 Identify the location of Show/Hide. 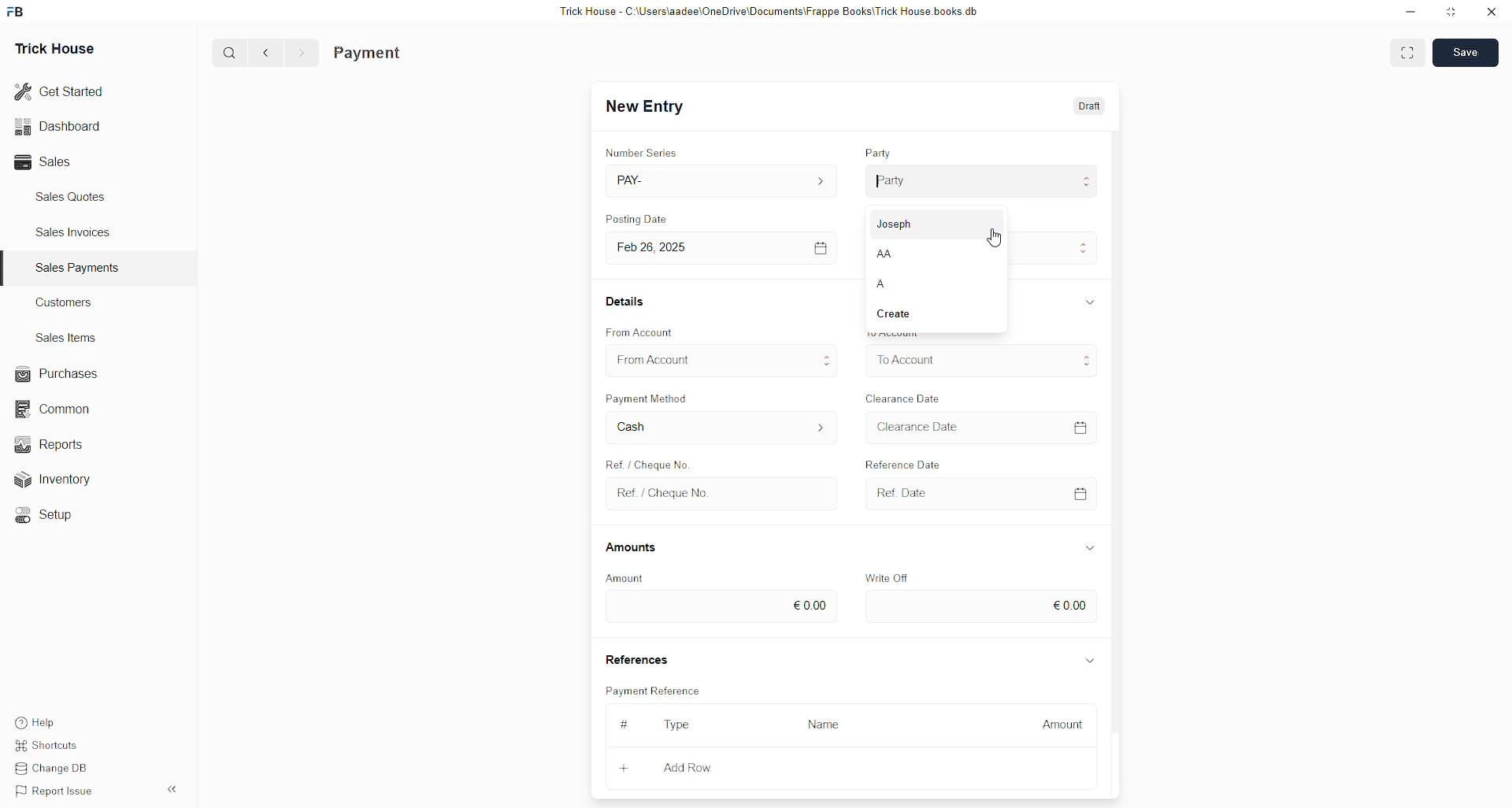
(1089, 548).